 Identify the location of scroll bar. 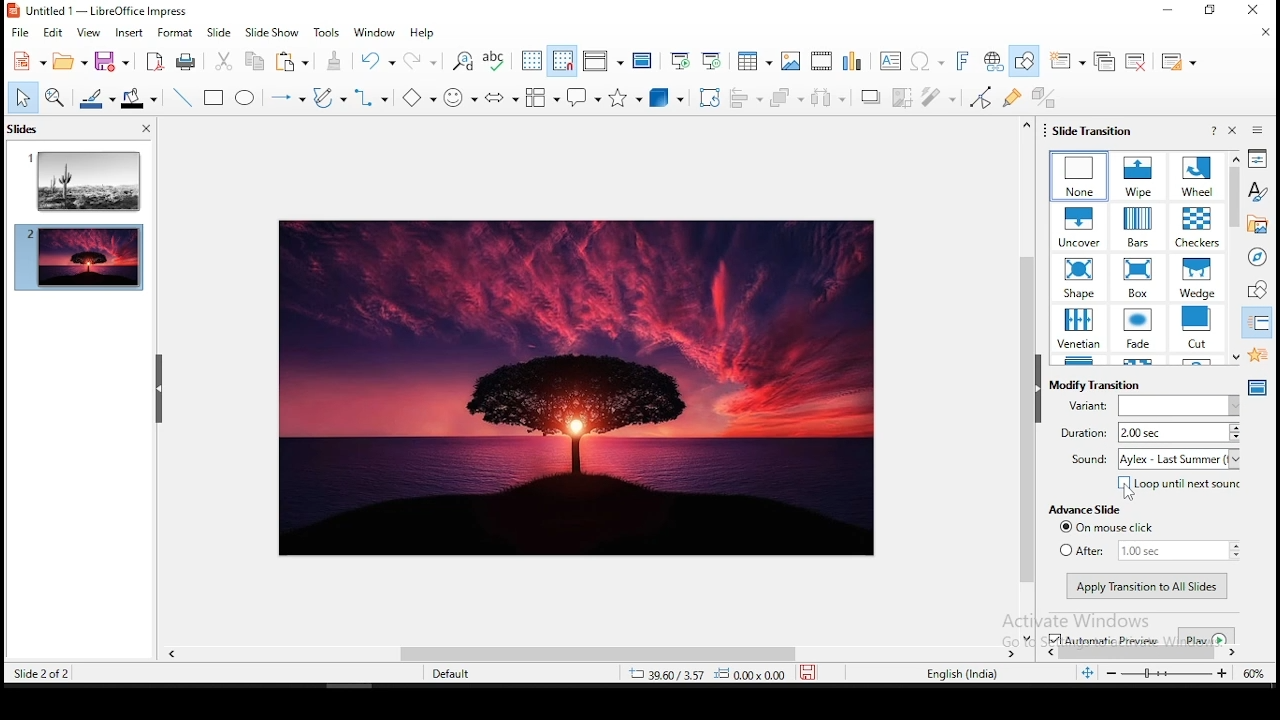
(1025, 380).